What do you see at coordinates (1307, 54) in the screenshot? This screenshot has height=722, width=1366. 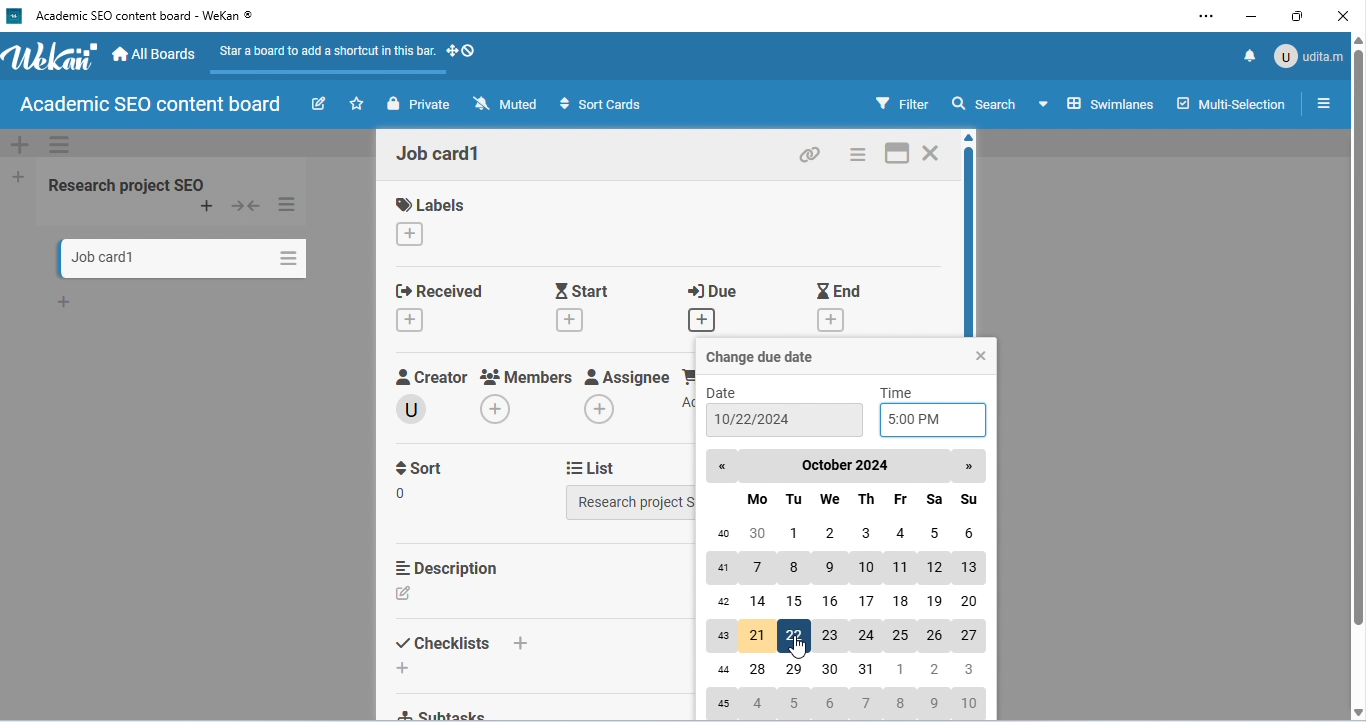 I see `admin: udita m` at bounding box center [1307, 54].